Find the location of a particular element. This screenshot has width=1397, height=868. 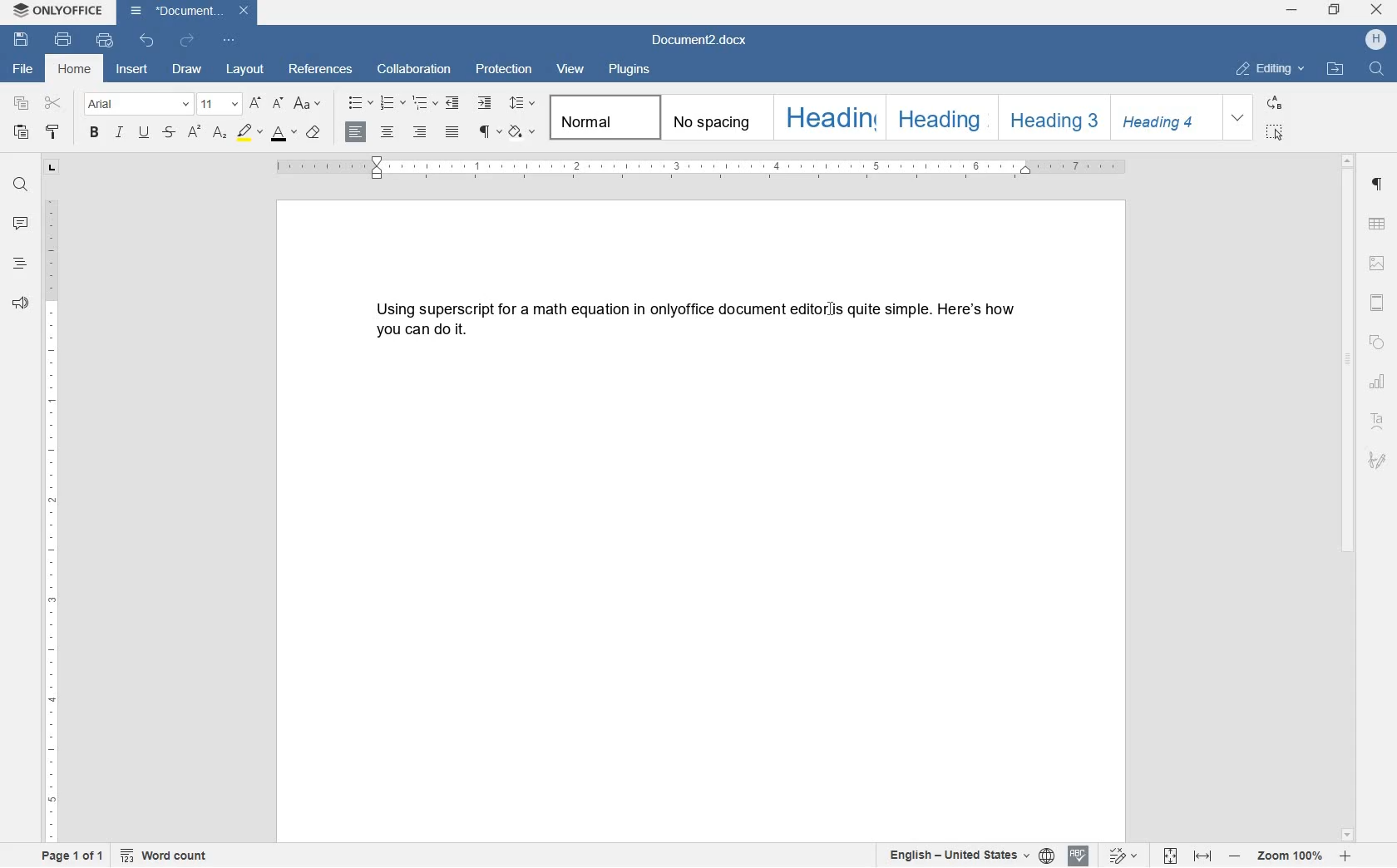

bullets is located at coordinates (360, 102).